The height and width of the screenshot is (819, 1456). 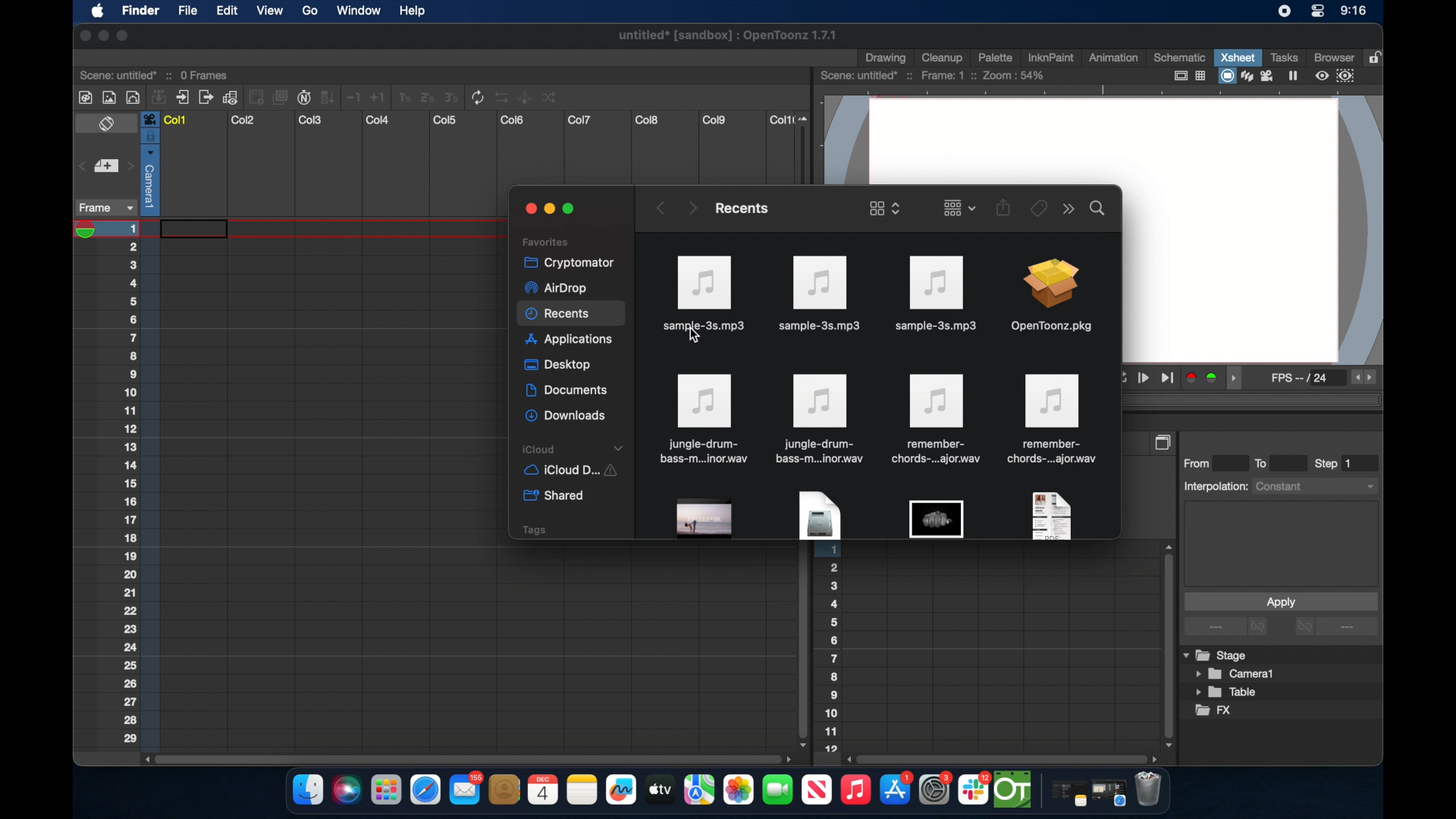 What do you see at coordinates (937, 789) in the screenshot?
I see `settings` at bounding box center [937, 789].